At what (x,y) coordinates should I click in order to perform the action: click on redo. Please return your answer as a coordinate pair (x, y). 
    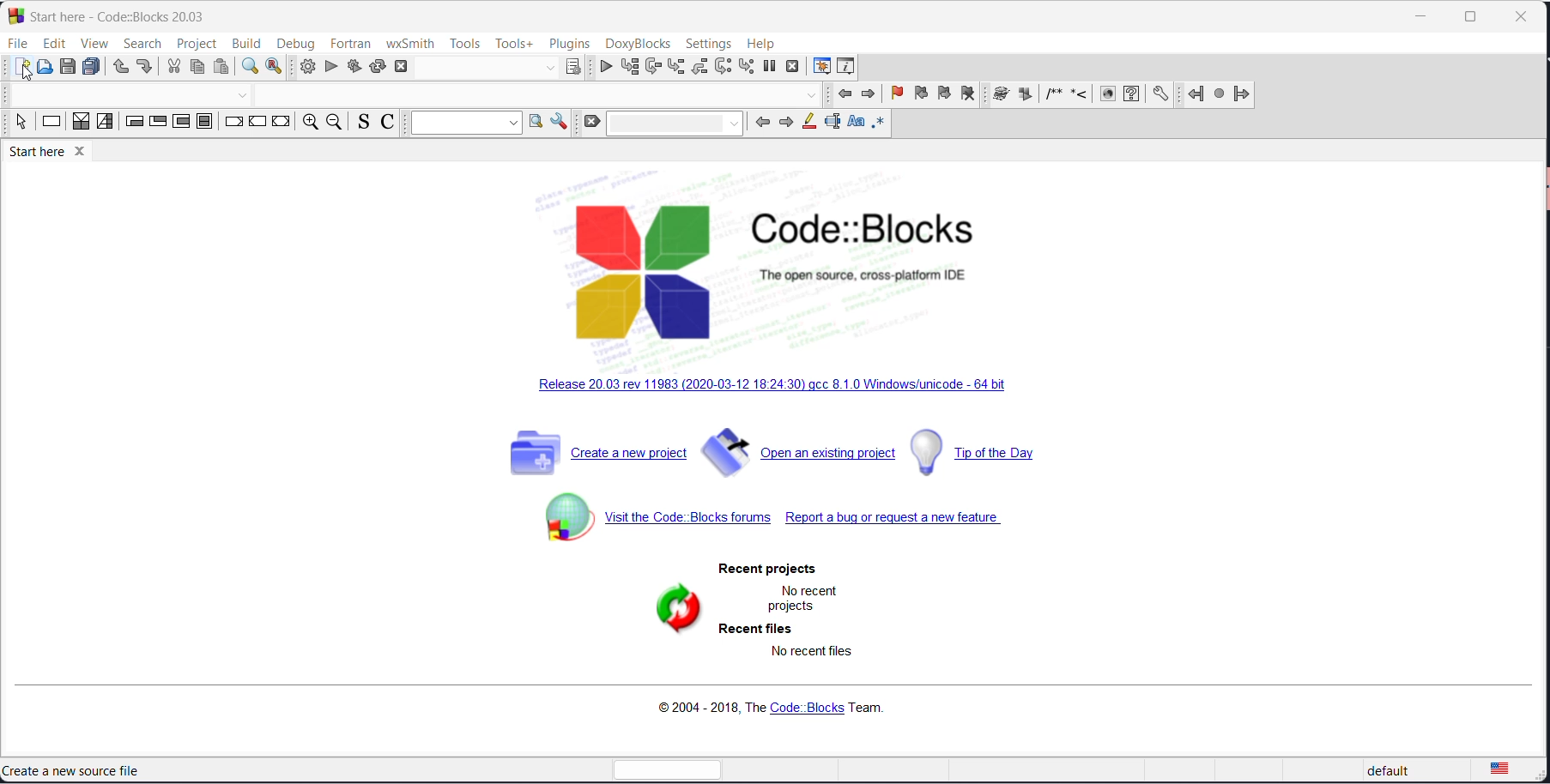
    Looking at the image, I should click on (147, 67).